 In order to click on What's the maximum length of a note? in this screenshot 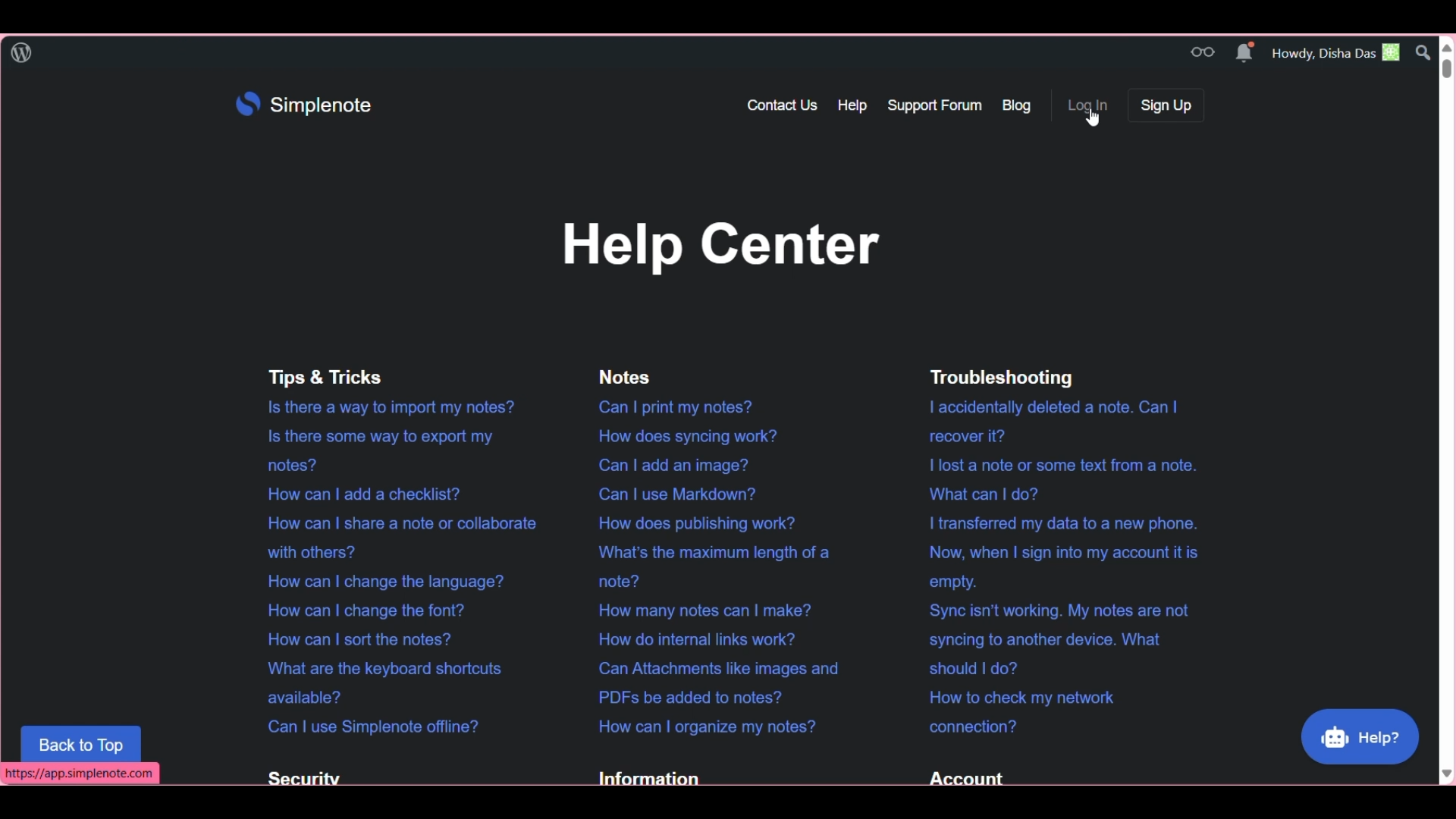, I will do `click(711, 566)`.